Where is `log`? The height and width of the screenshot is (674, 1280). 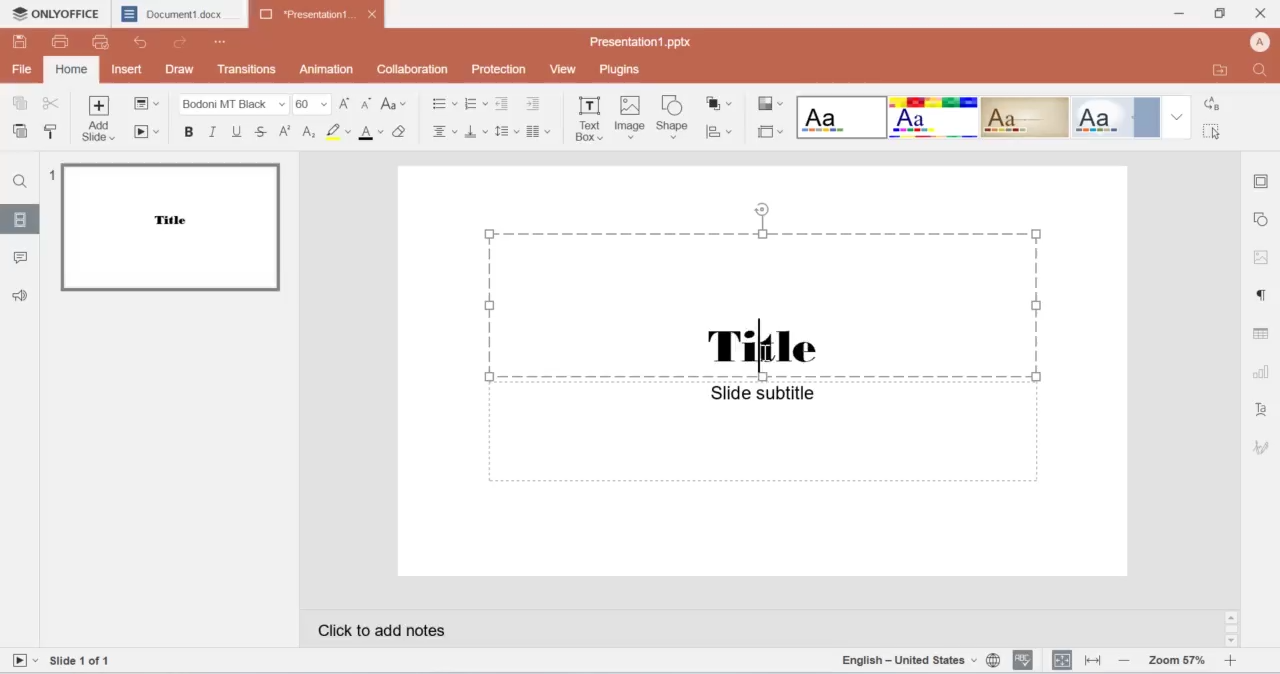 log is located at coordinates (311, 132).